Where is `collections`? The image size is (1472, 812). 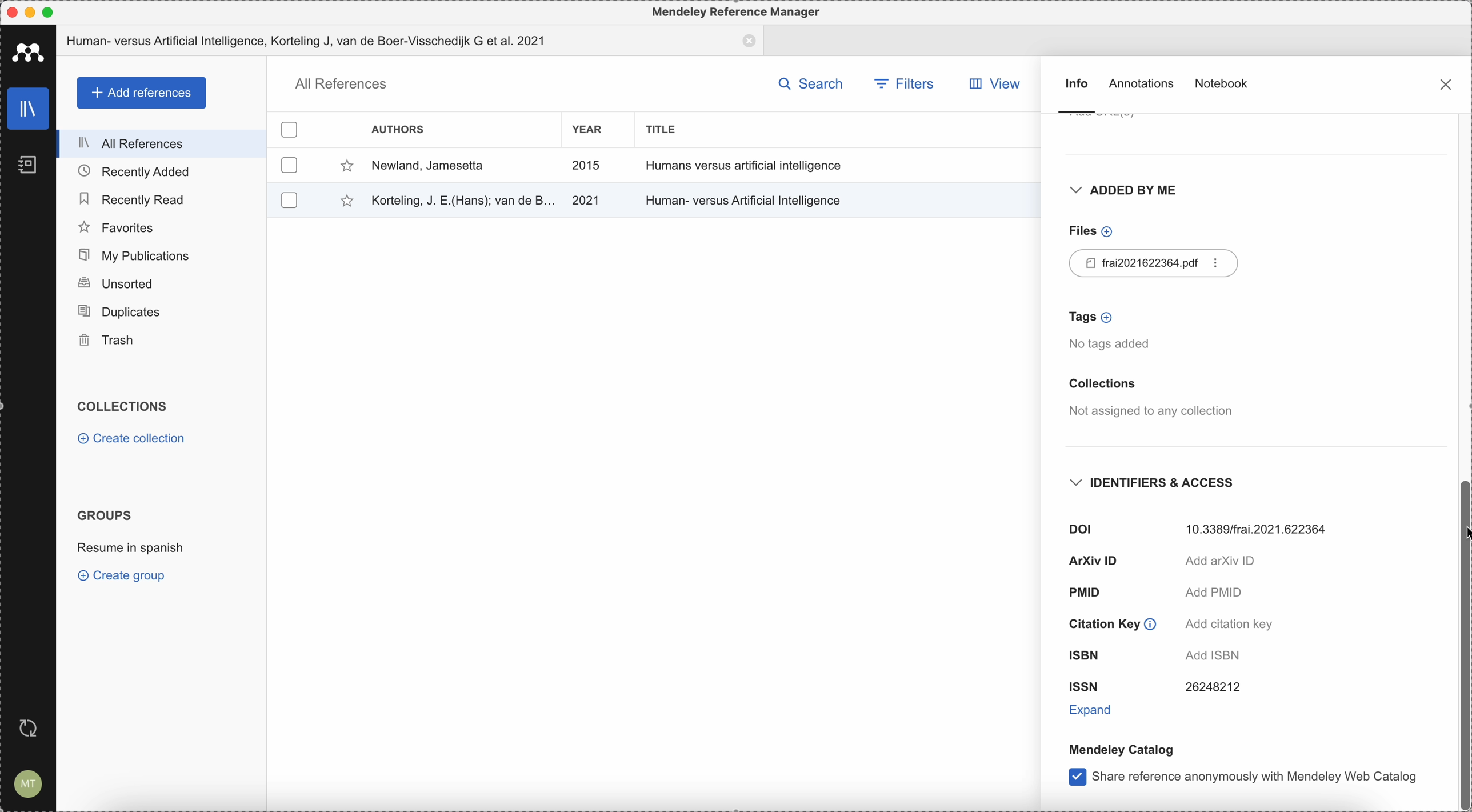 collections is located at coordinates (127, 407).